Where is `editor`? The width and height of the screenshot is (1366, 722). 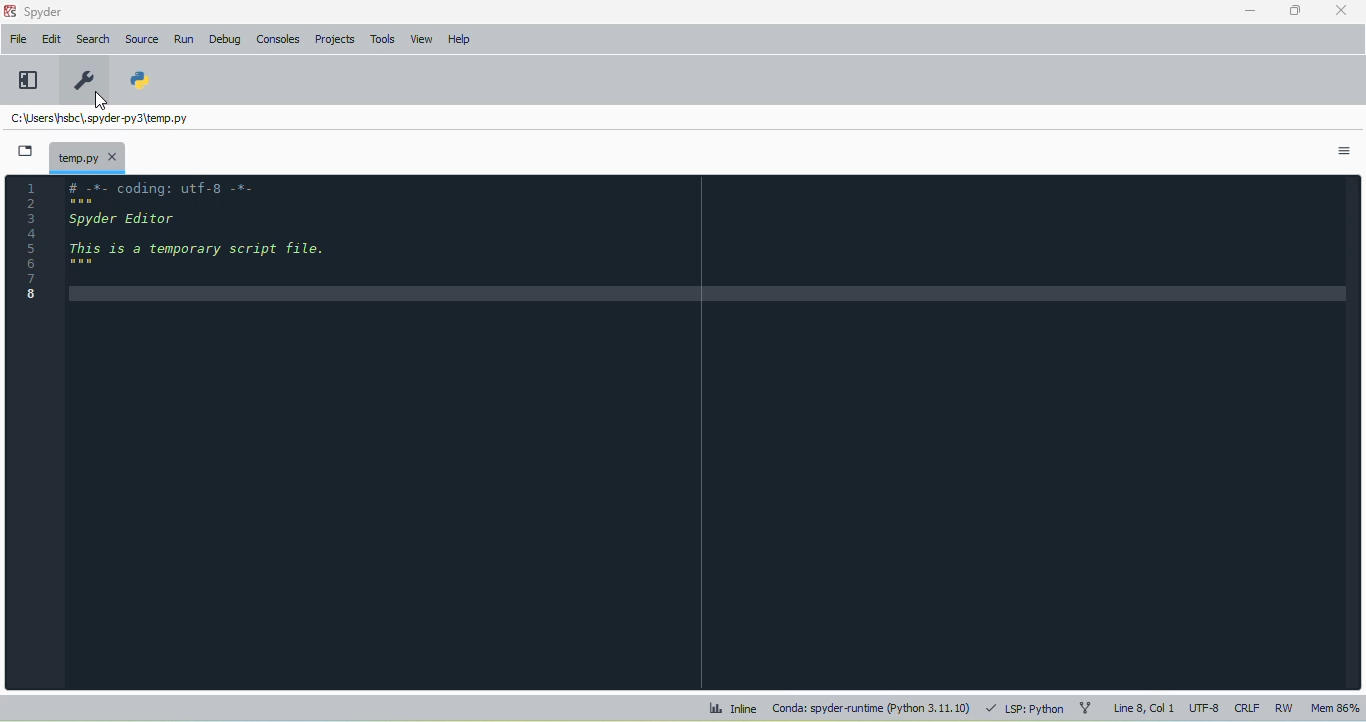
editor is located at coordinates (709, 430).